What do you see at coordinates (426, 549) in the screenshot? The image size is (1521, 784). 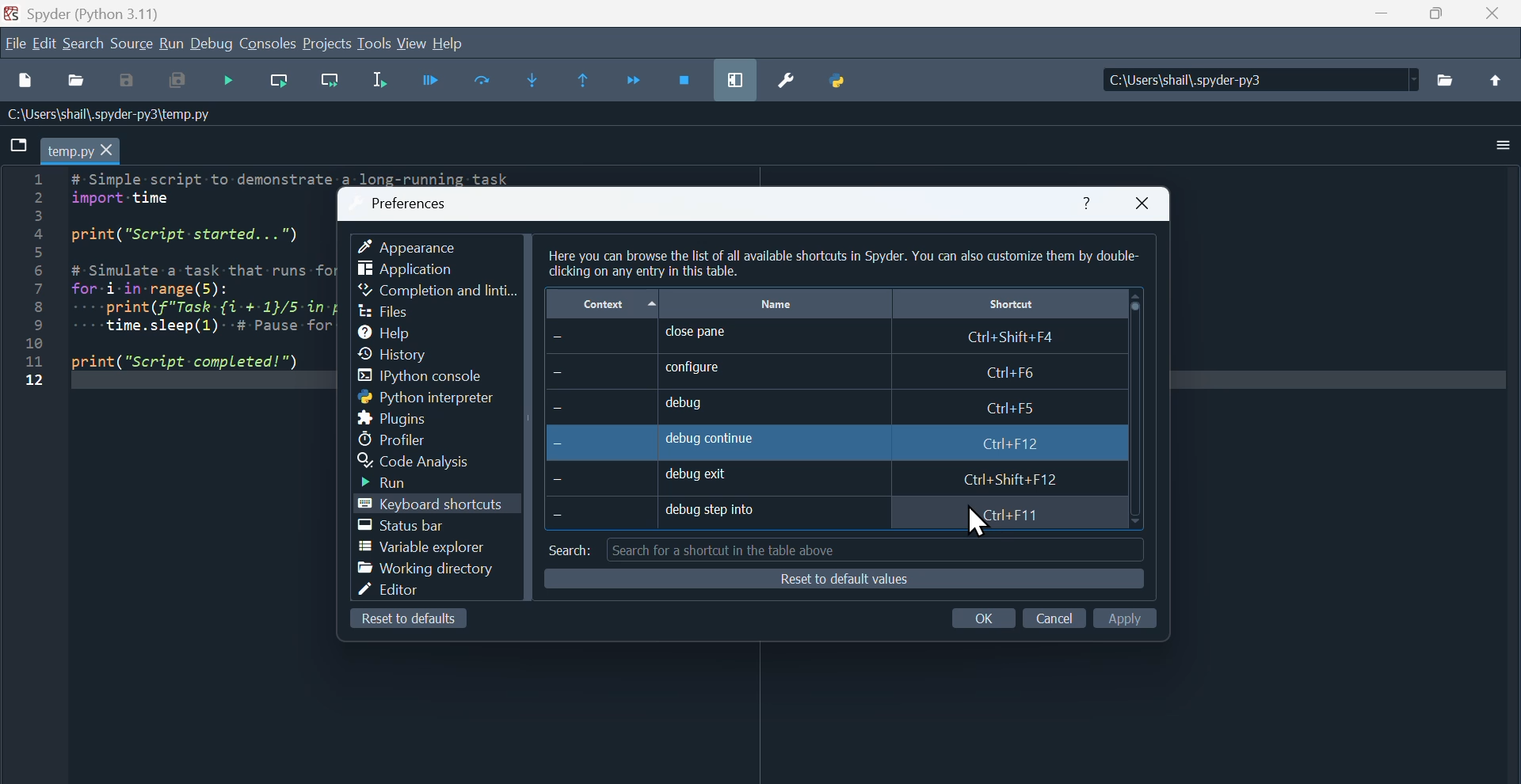 I see `Variable explorer` at bounding box center [426, 549].